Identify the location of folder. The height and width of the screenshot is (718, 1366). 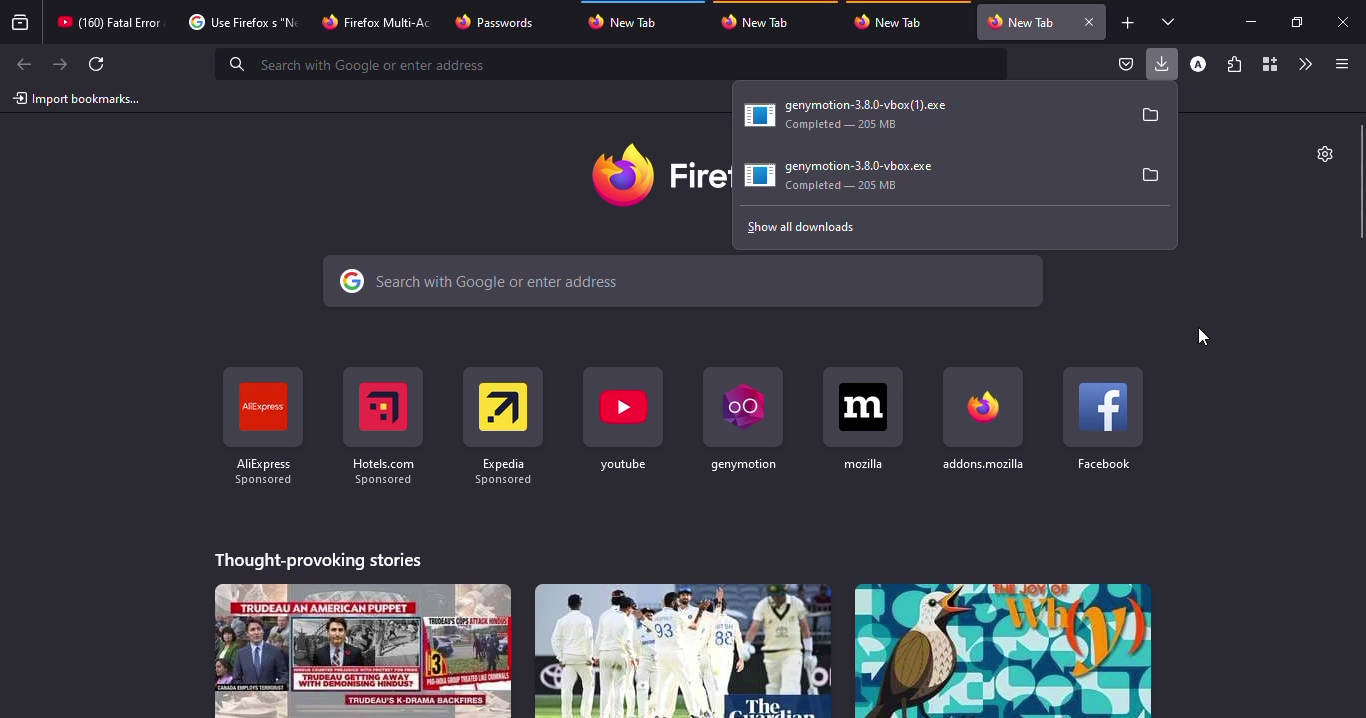
(1151, 115).